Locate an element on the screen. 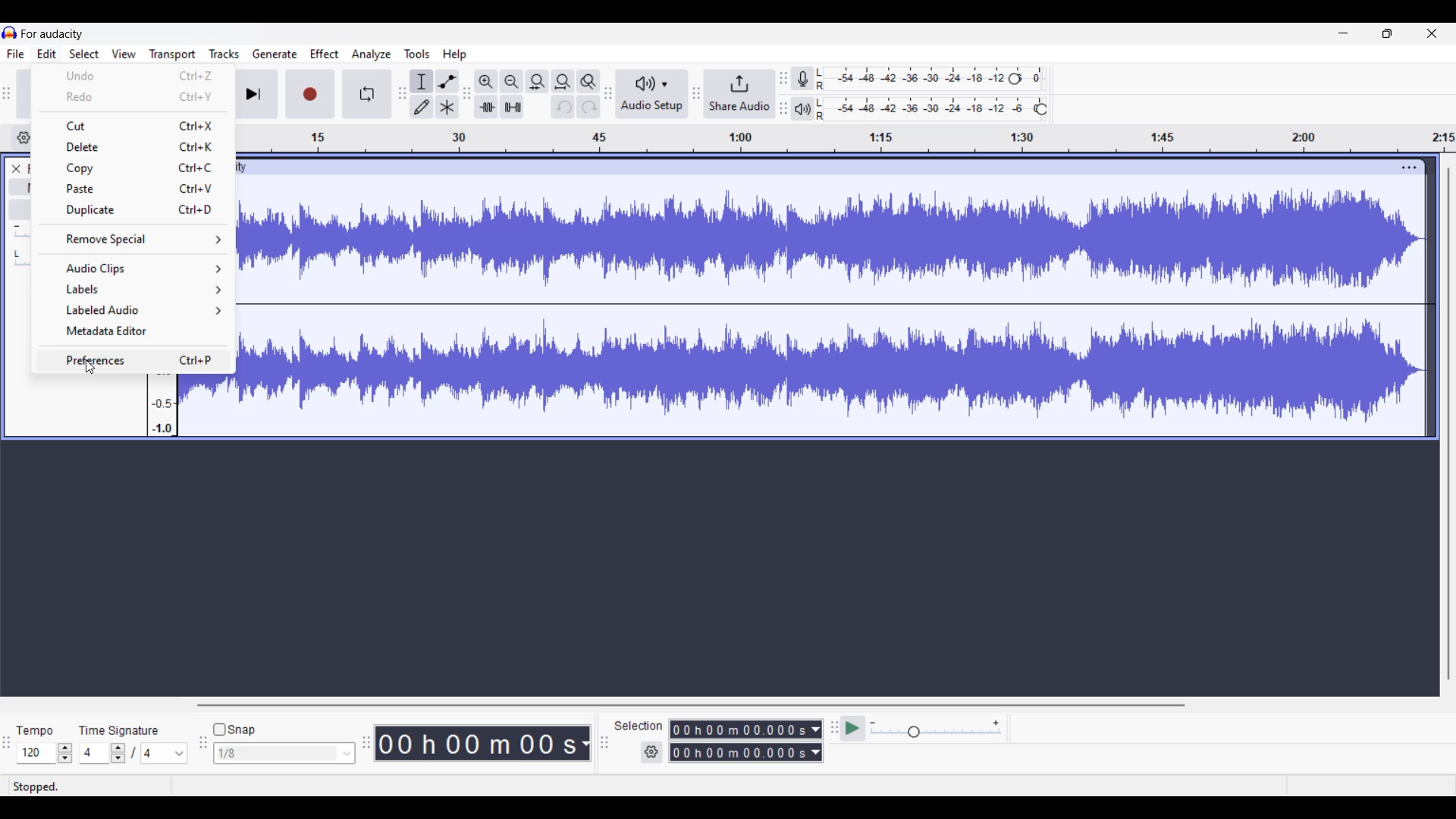 This screenshot has width=1456, height=819. Max time signature options is located at coordinates (165, 753).